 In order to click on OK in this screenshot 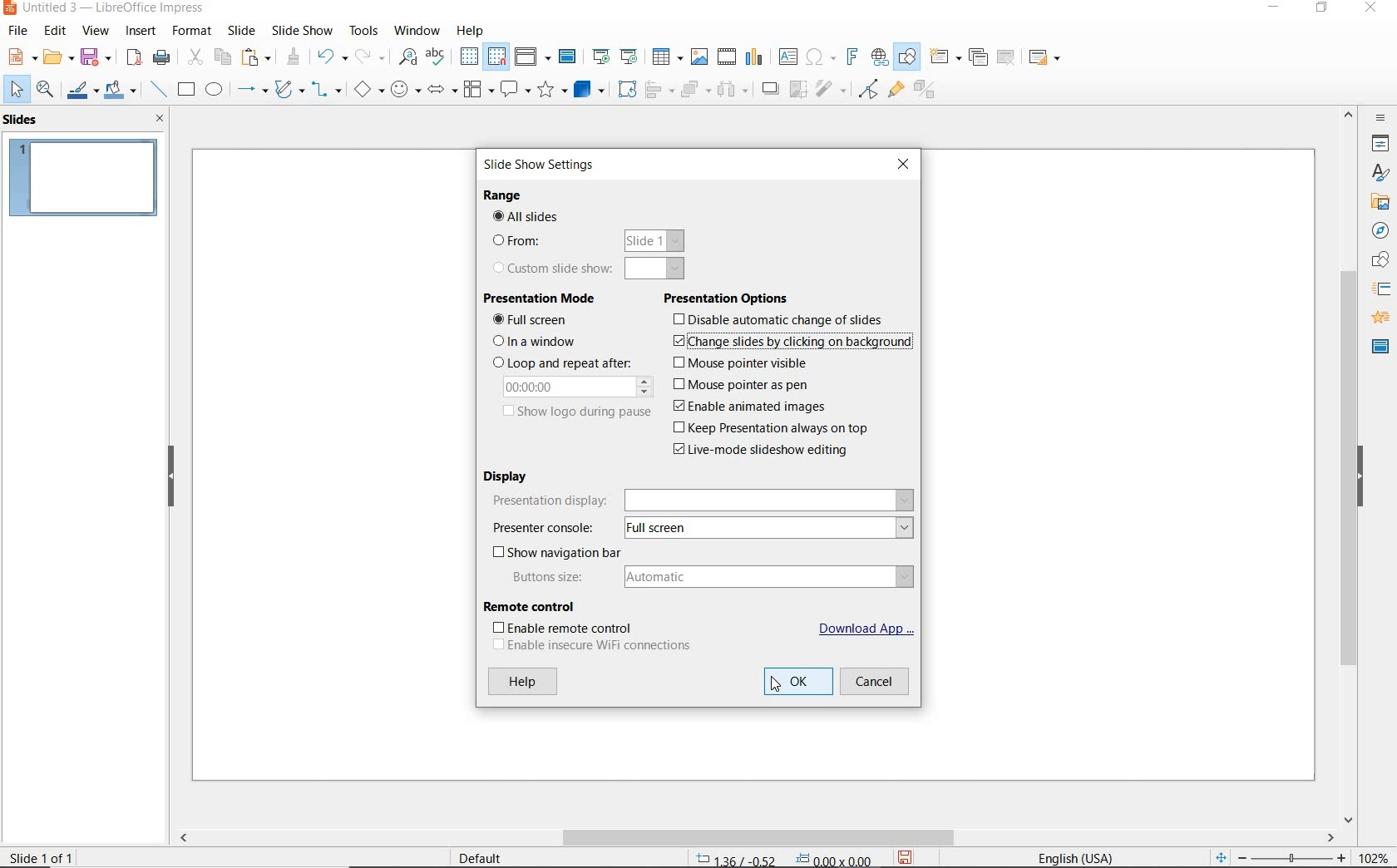, I will do `click(797, 683)`.